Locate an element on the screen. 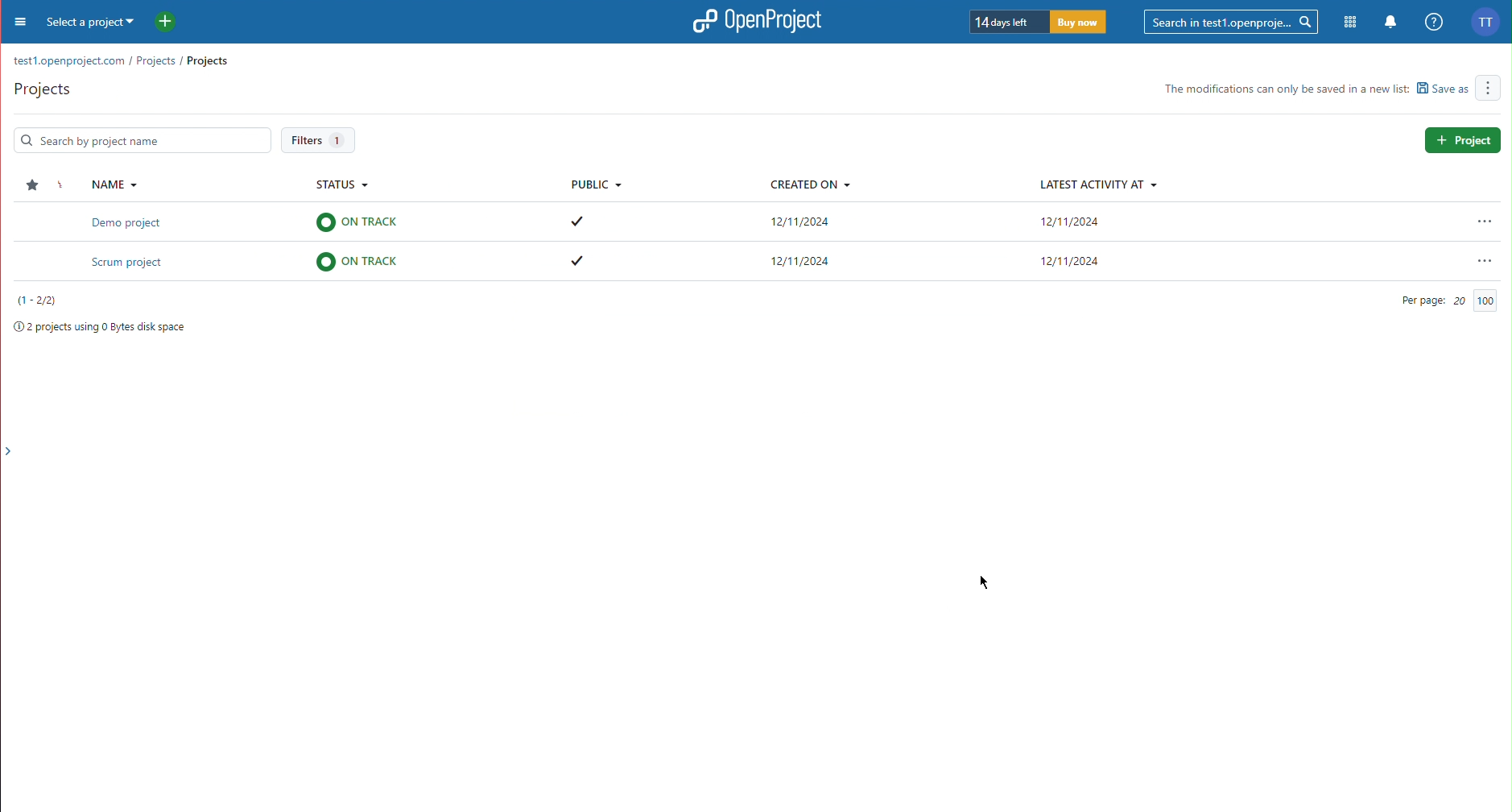 The height and width of the screenshot is (812, 1512). Projects number is located at coordinates (40, 300).